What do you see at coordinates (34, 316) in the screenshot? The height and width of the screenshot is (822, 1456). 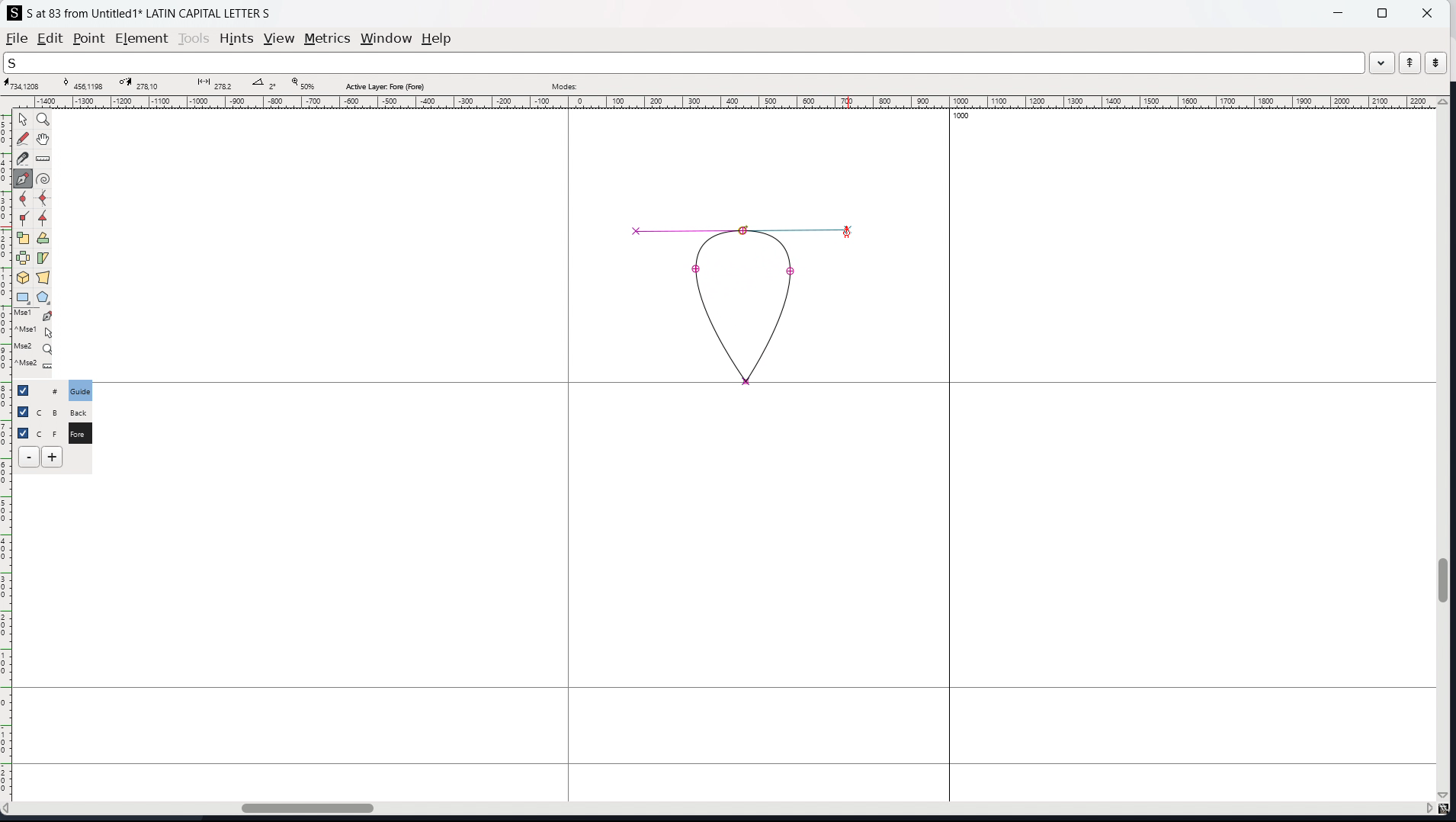 I see `Mse1` at bounding box center [34, 316].